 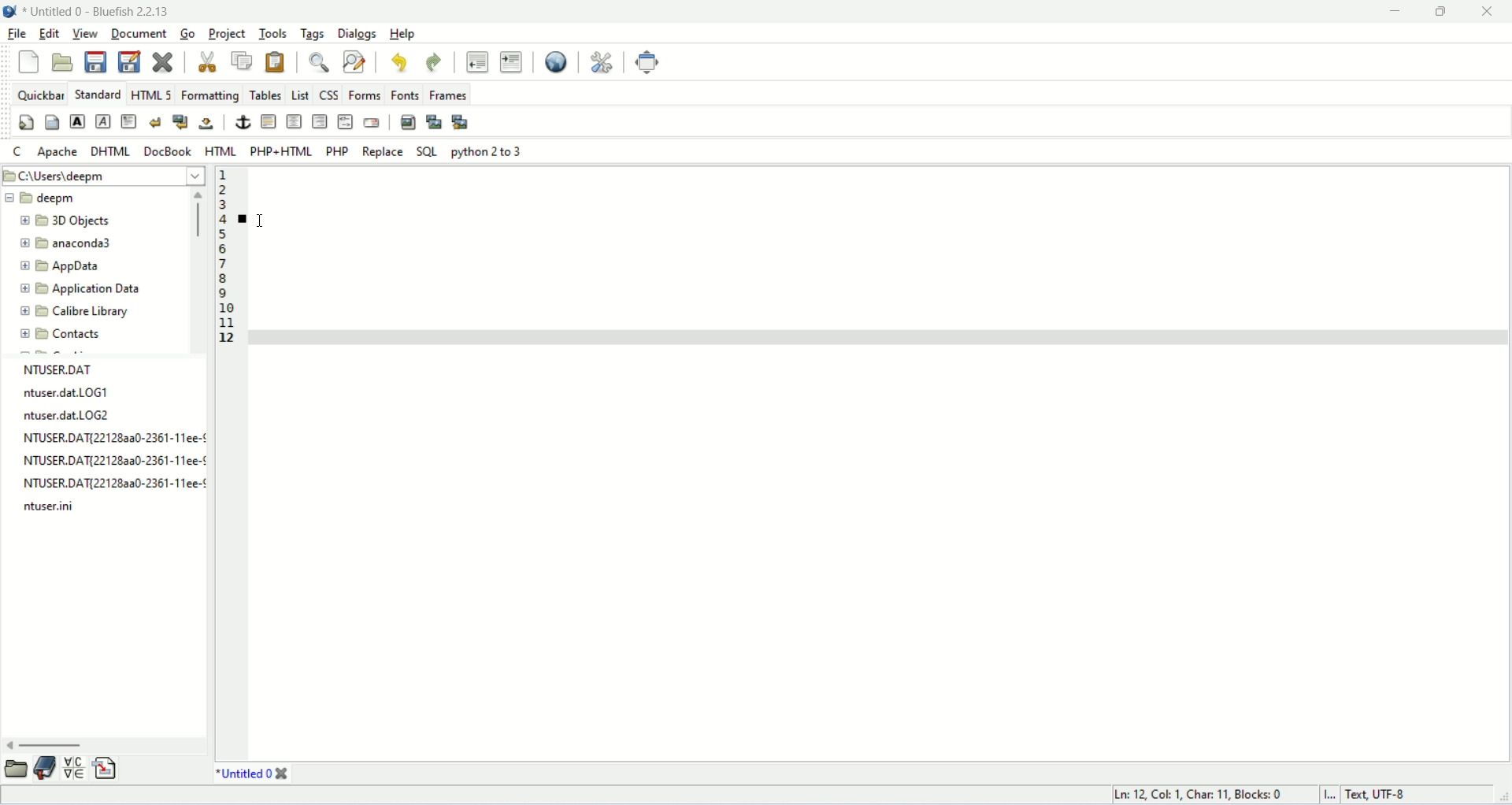 What do you see at coordinates (461, 120) in the screenshot?
I see `multi thumbnail` at bounding box center [461, 120].